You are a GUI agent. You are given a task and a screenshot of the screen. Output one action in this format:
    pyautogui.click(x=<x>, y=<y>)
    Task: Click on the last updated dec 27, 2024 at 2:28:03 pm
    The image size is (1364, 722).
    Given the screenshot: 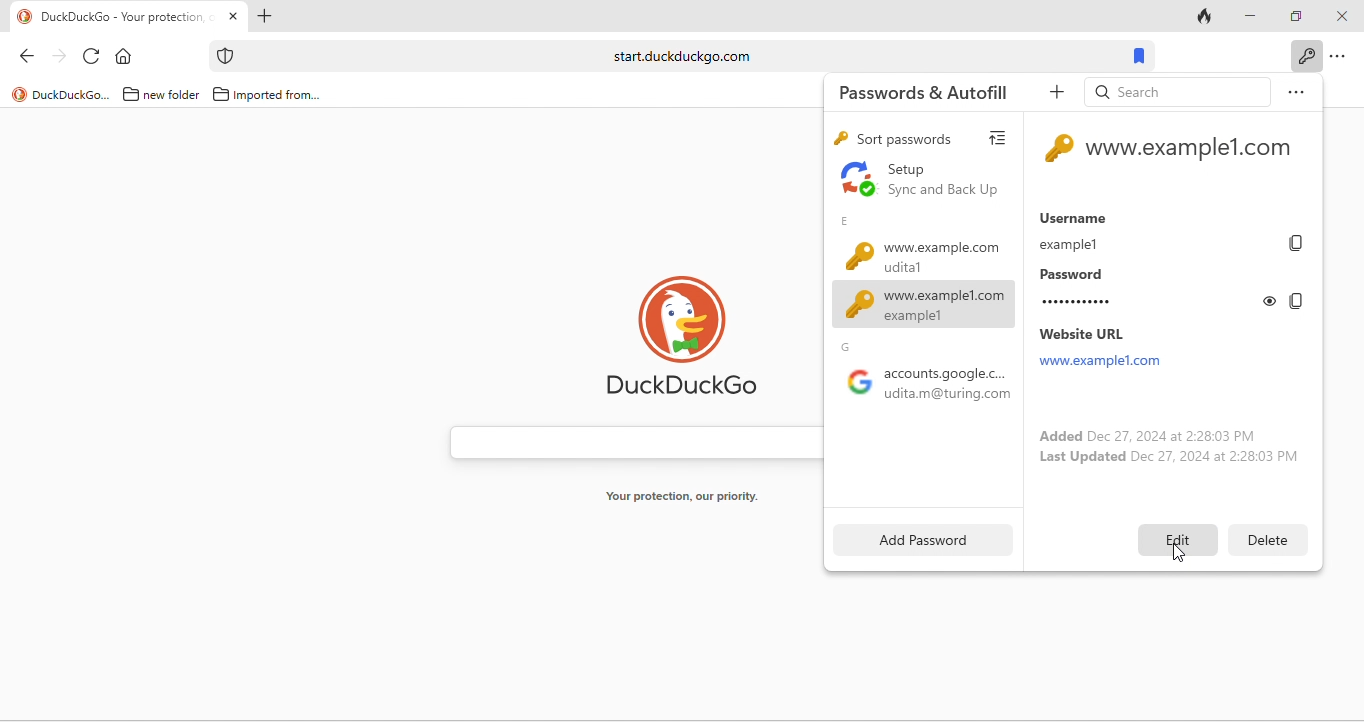 What is the action you would take?
    pyautogui.click(x=1162, y=457)
    